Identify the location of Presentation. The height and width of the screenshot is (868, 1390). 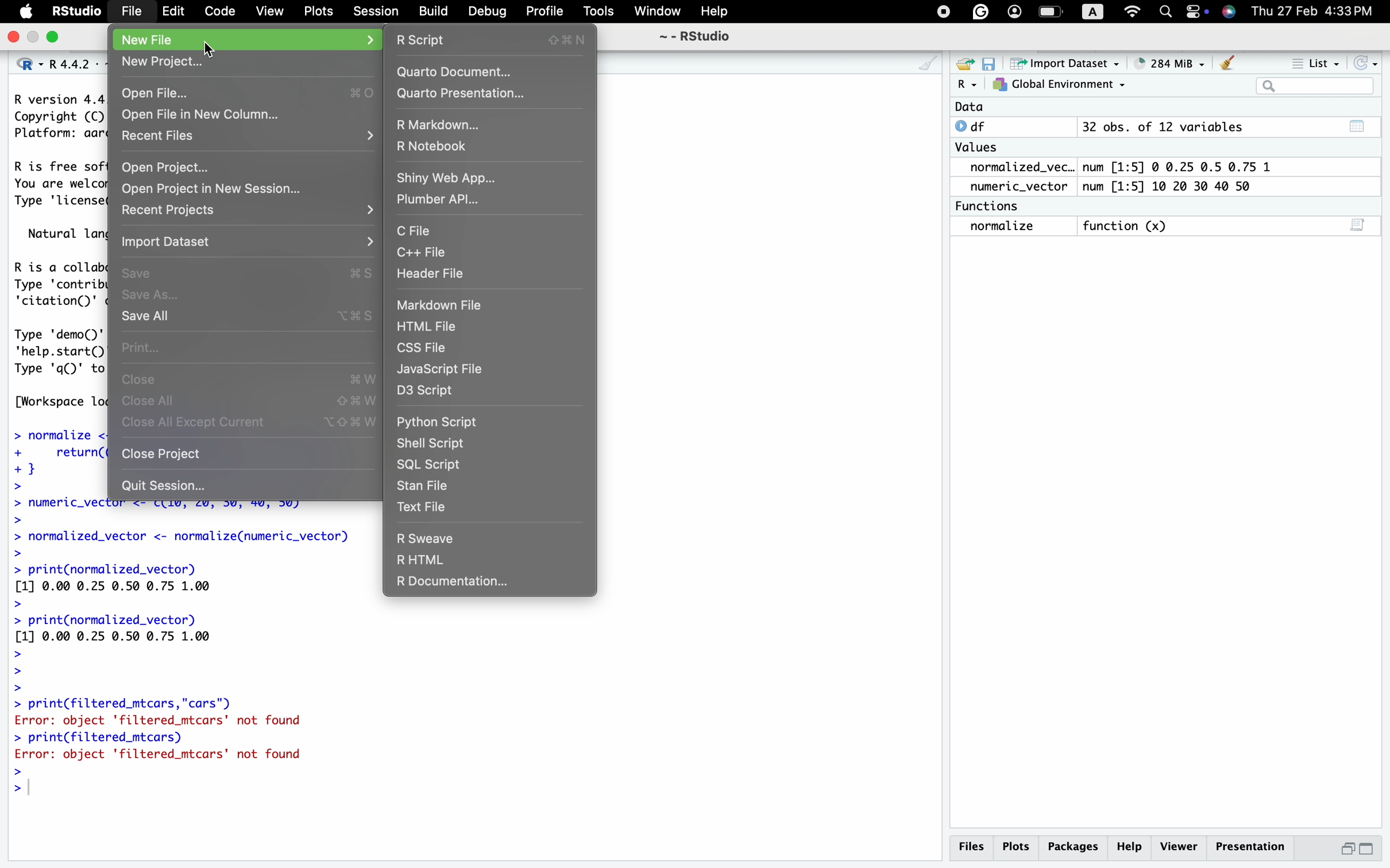
(1249, 843).